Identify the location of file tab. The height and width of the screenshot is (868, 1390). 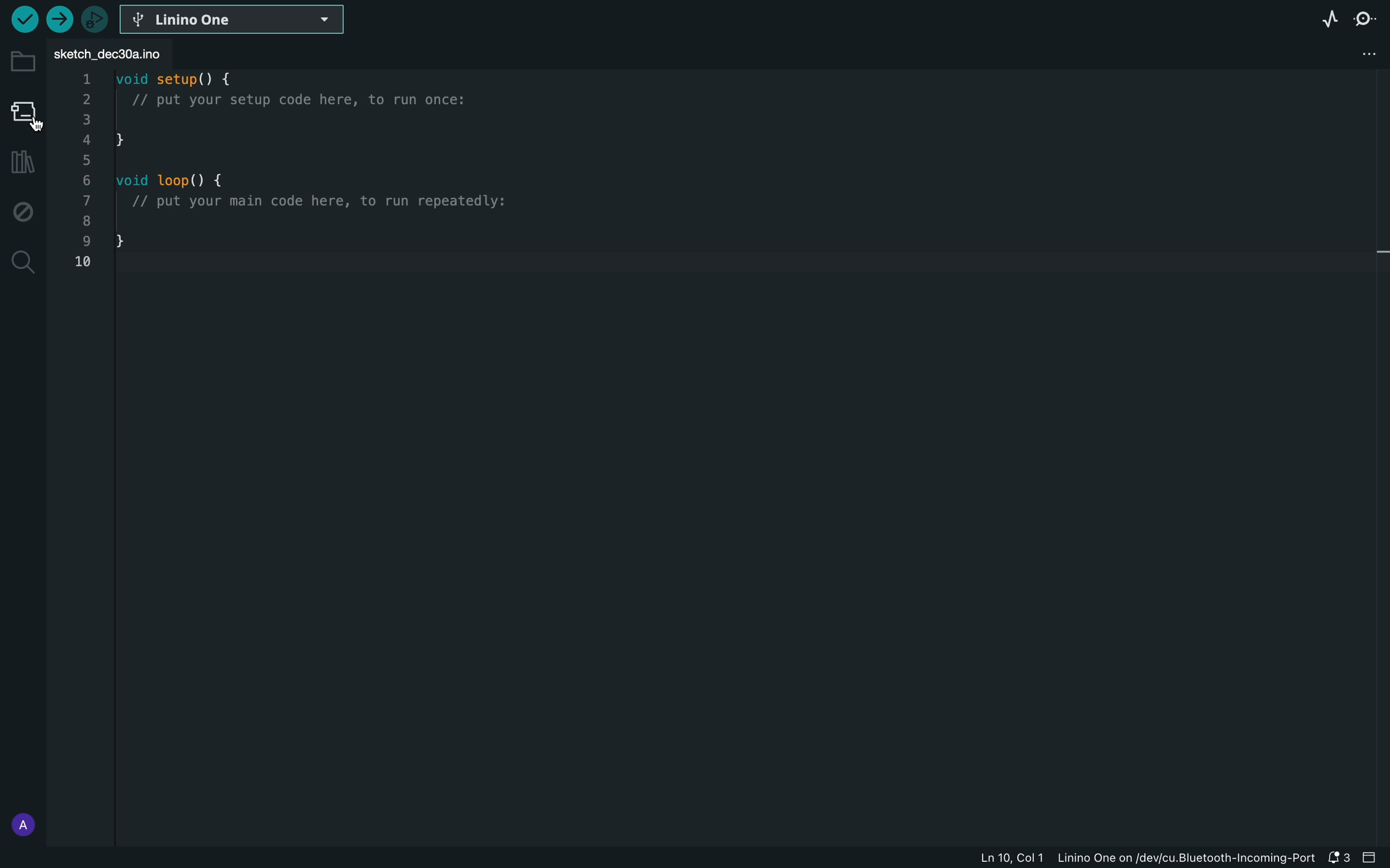
(123, 55).